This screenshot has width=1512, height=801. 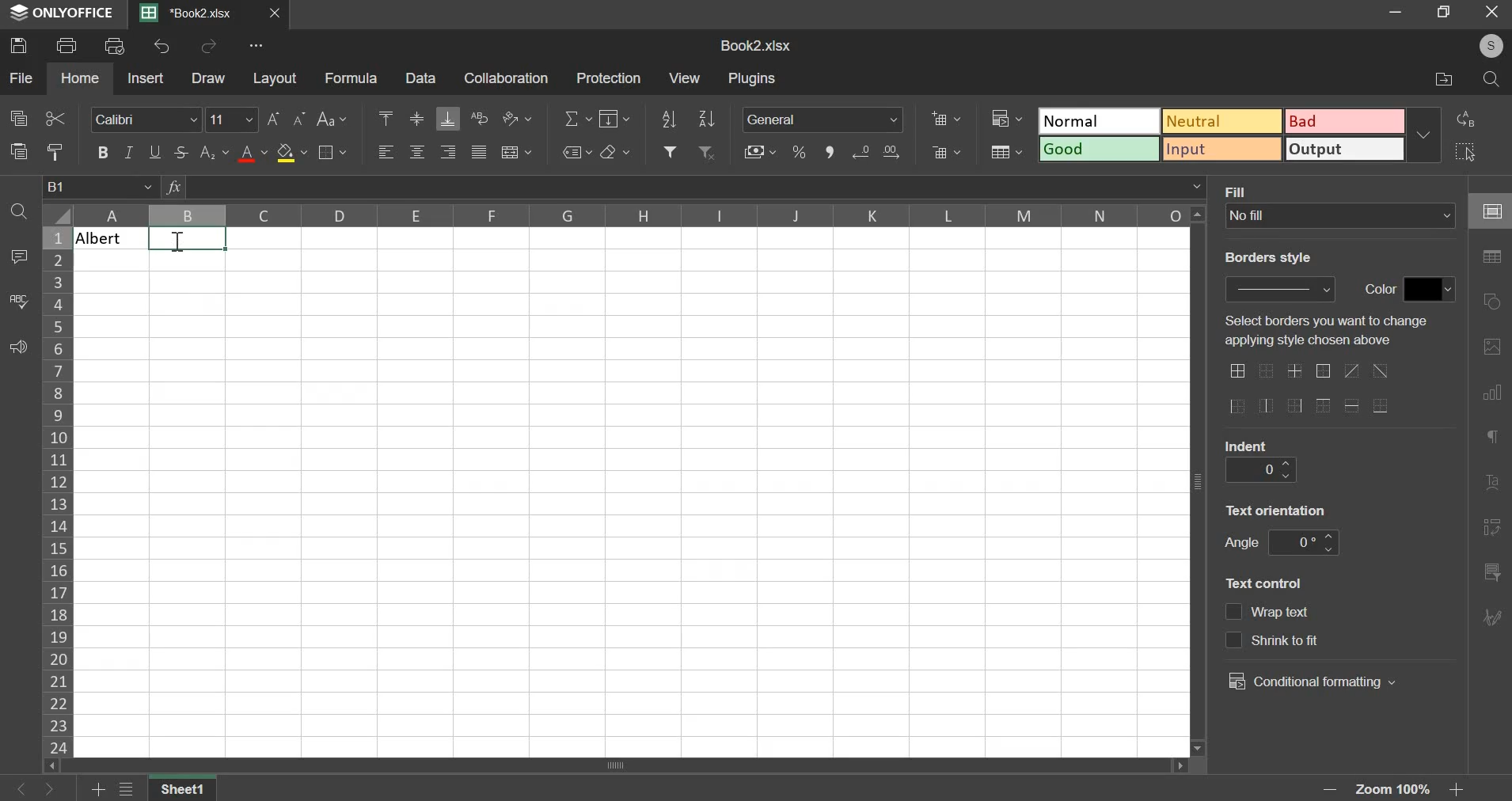 I want to click on clear, so click(x=615, y=151).